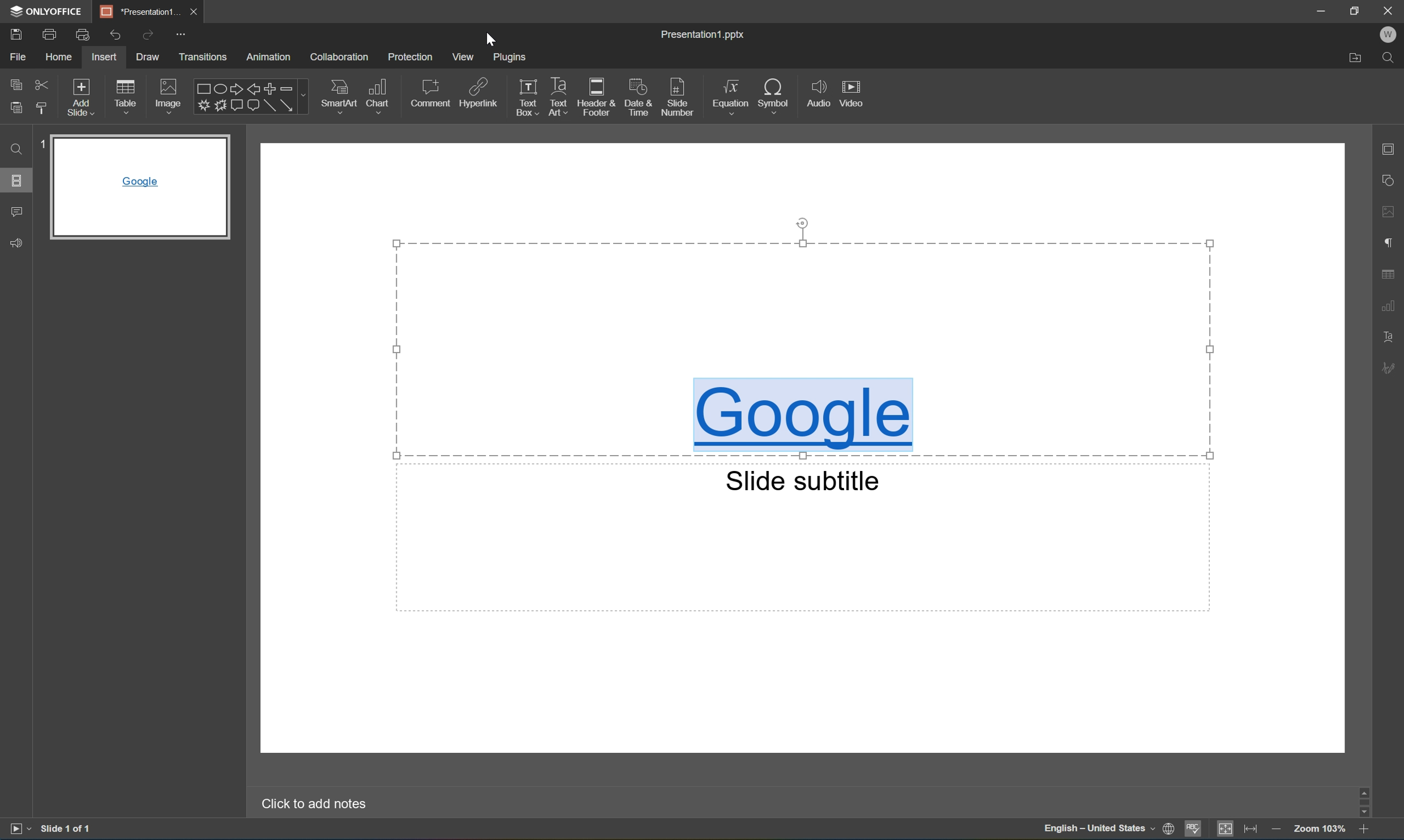 The image size is (1404, 840). What do you see at coordinates (682, 96) in the screenshot?
I see `Slide number` at bounding box center [682, 96].